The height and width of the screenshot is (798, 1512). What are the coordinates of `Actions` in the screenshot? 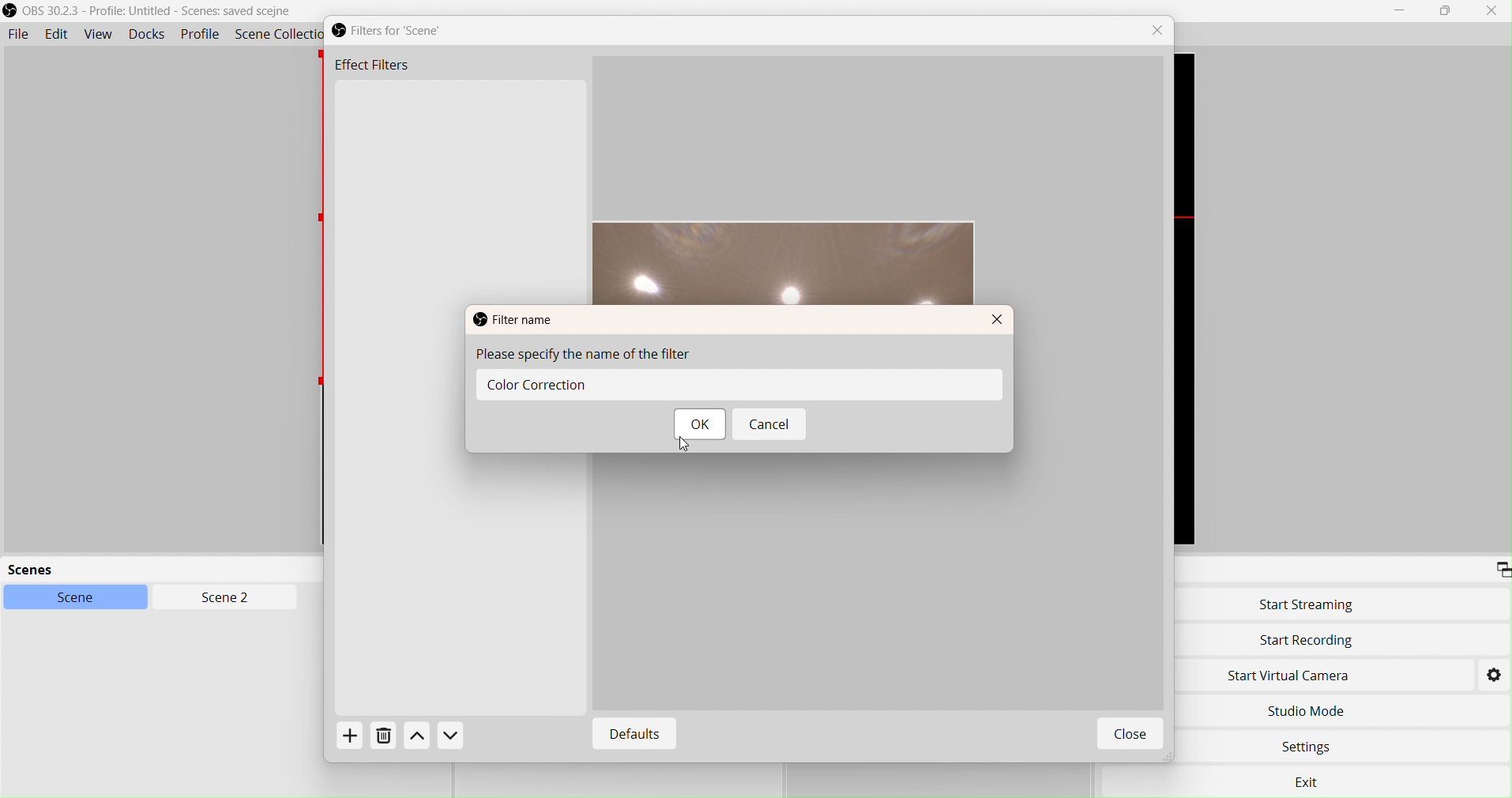 It's located at (434, 737).